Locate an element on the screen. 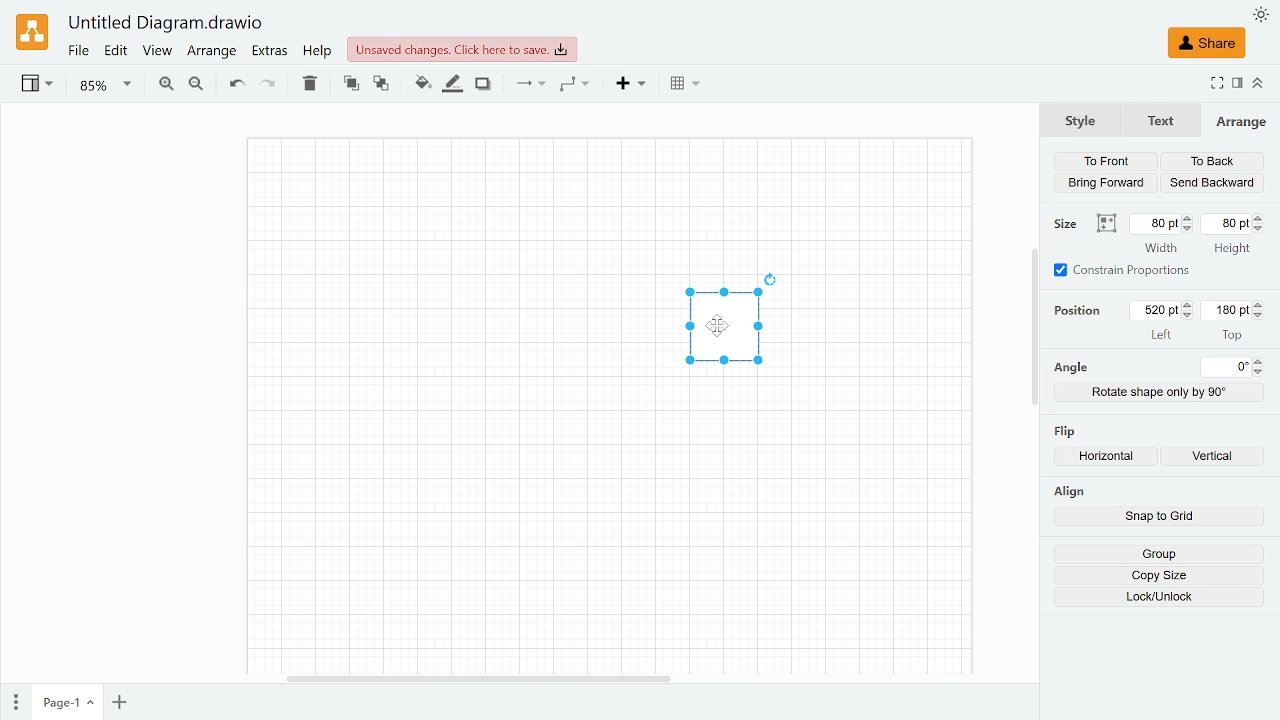 This screenshot has height=720, width=1280. Current zoom is located at coordinates (106, 85).